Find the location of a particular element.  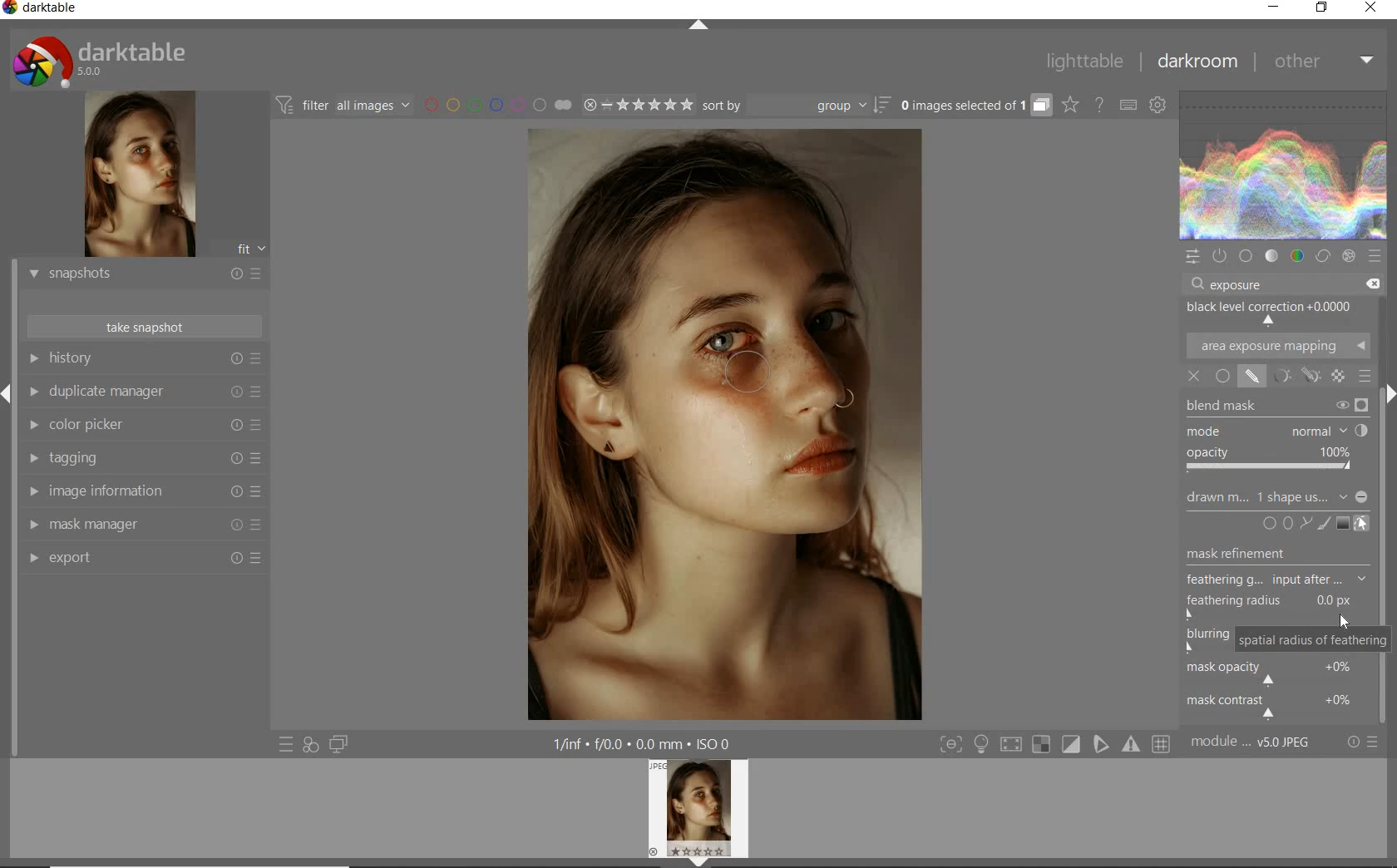

effect is located at coordinates (1348, 256).